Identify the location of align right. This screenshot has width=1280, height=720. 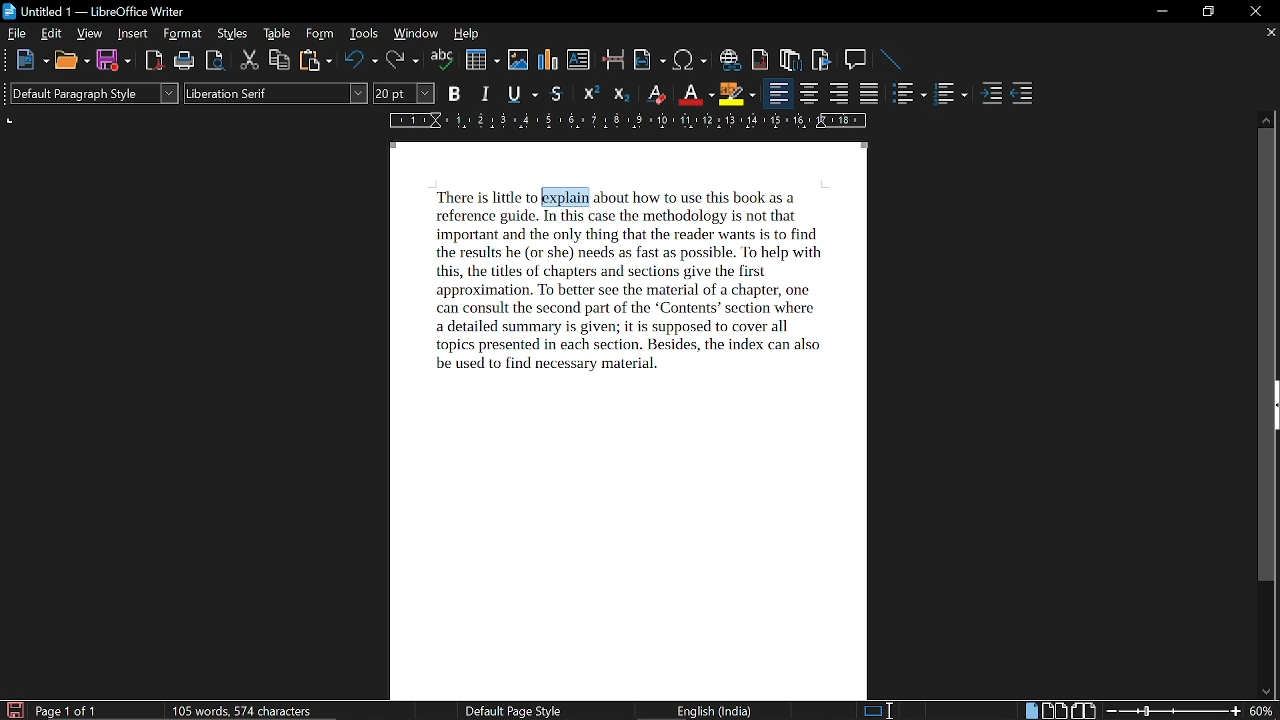
(841, 94).